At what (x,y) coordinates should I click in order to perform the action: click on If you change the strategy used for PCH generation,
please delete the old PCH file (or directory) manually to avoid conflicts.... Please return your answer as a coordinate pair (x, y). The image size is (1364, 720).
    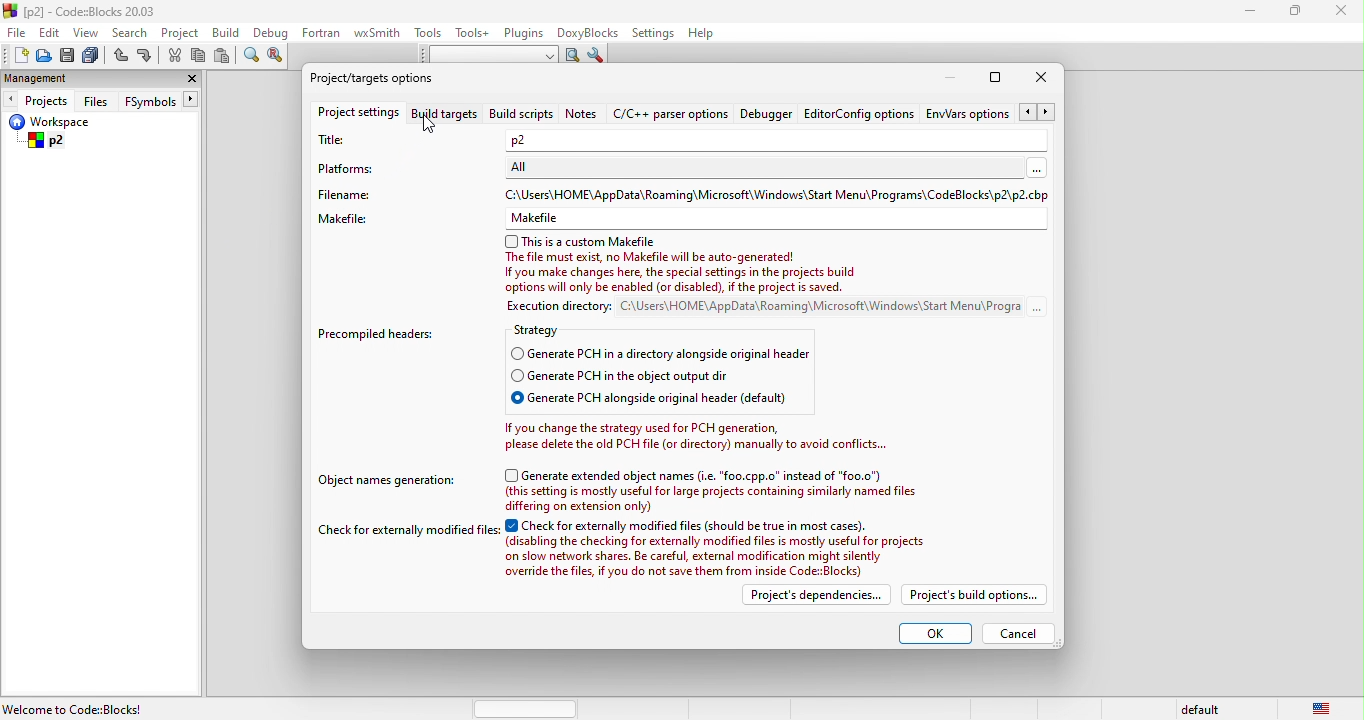
    Looking at the image, I should click on (696, 436).